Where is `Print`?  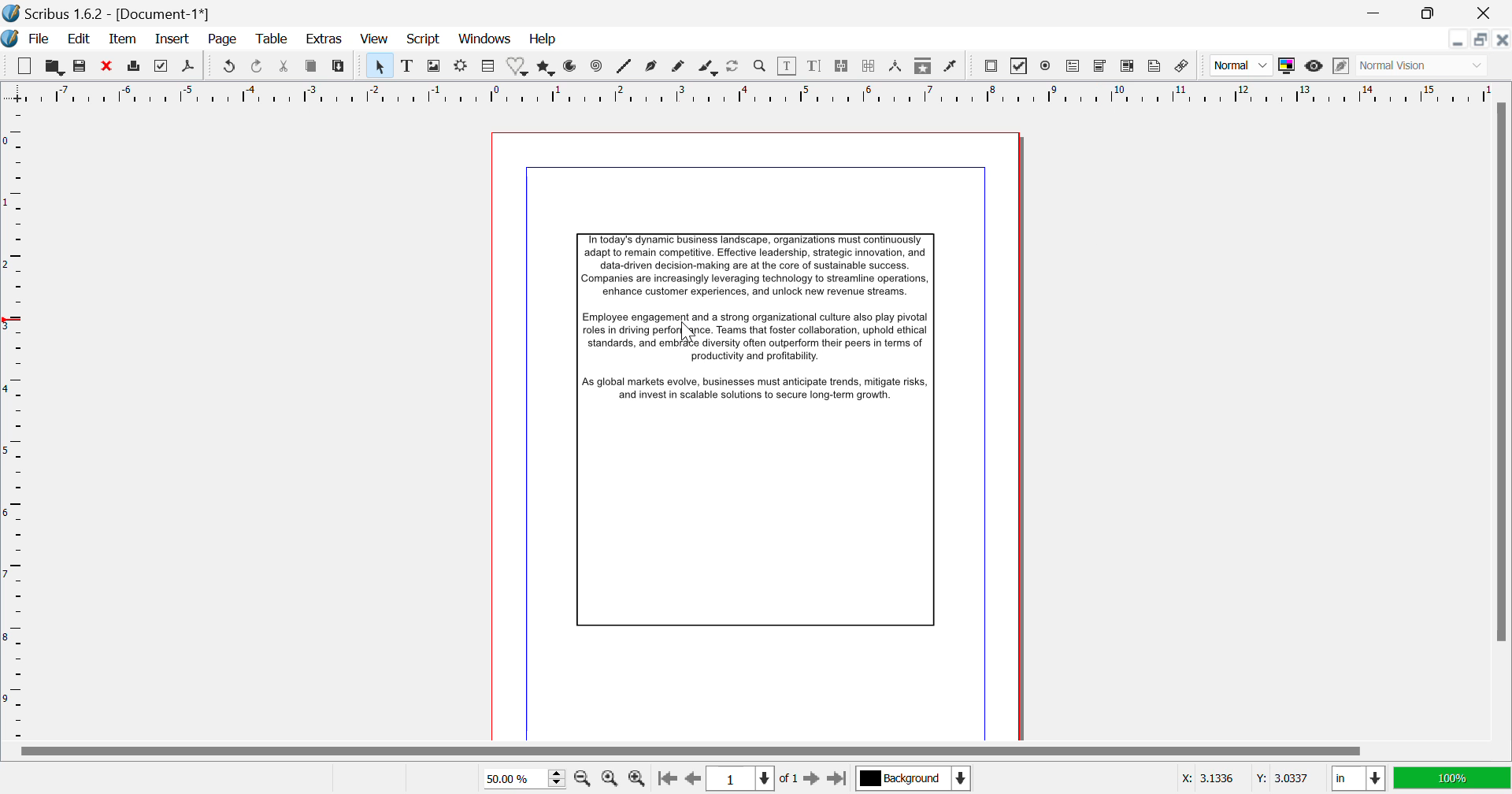 Print is located at coordinates (136, 67).